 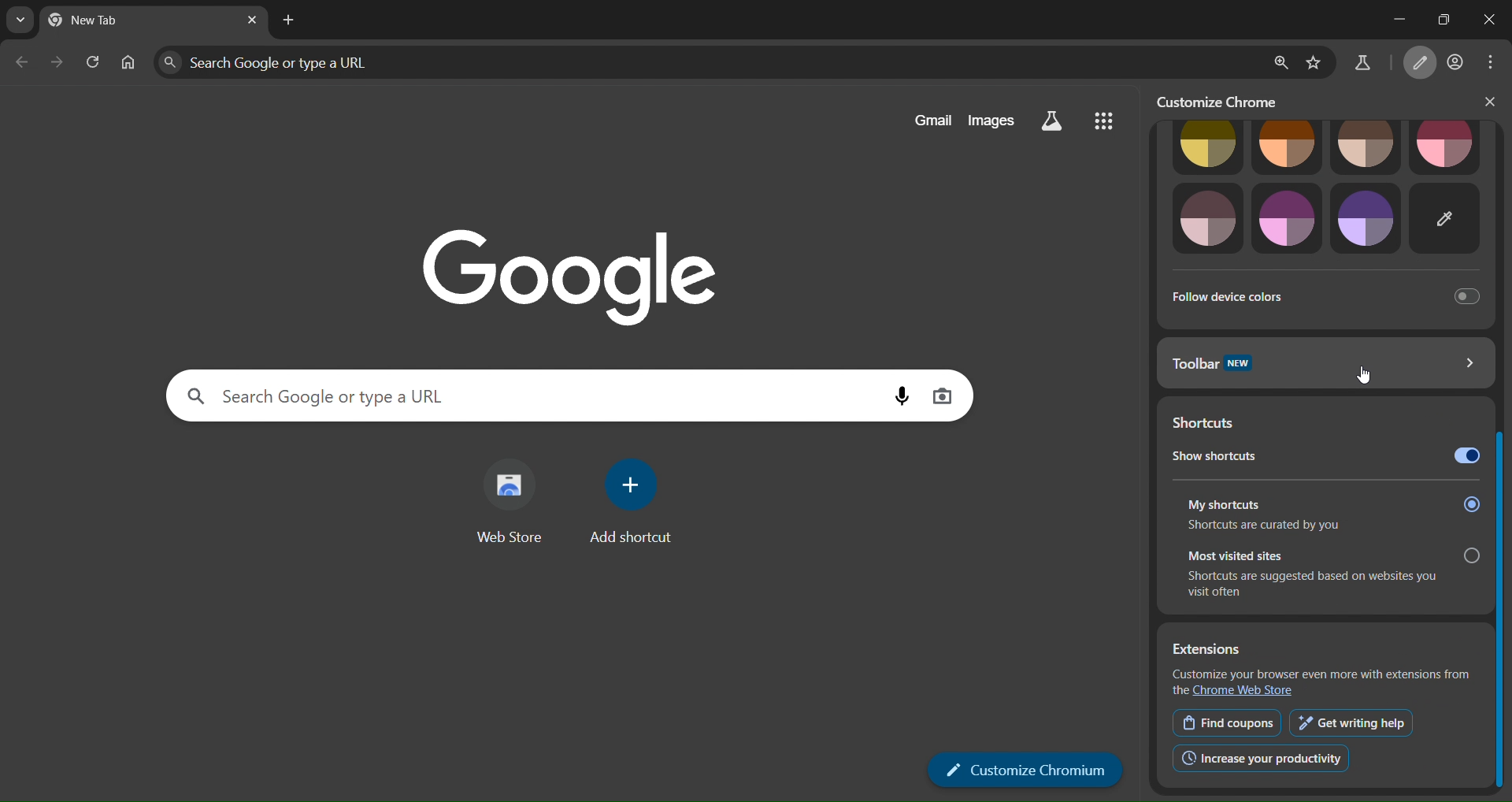 I want to click on Find coupons, so click(x=1227, y=722).